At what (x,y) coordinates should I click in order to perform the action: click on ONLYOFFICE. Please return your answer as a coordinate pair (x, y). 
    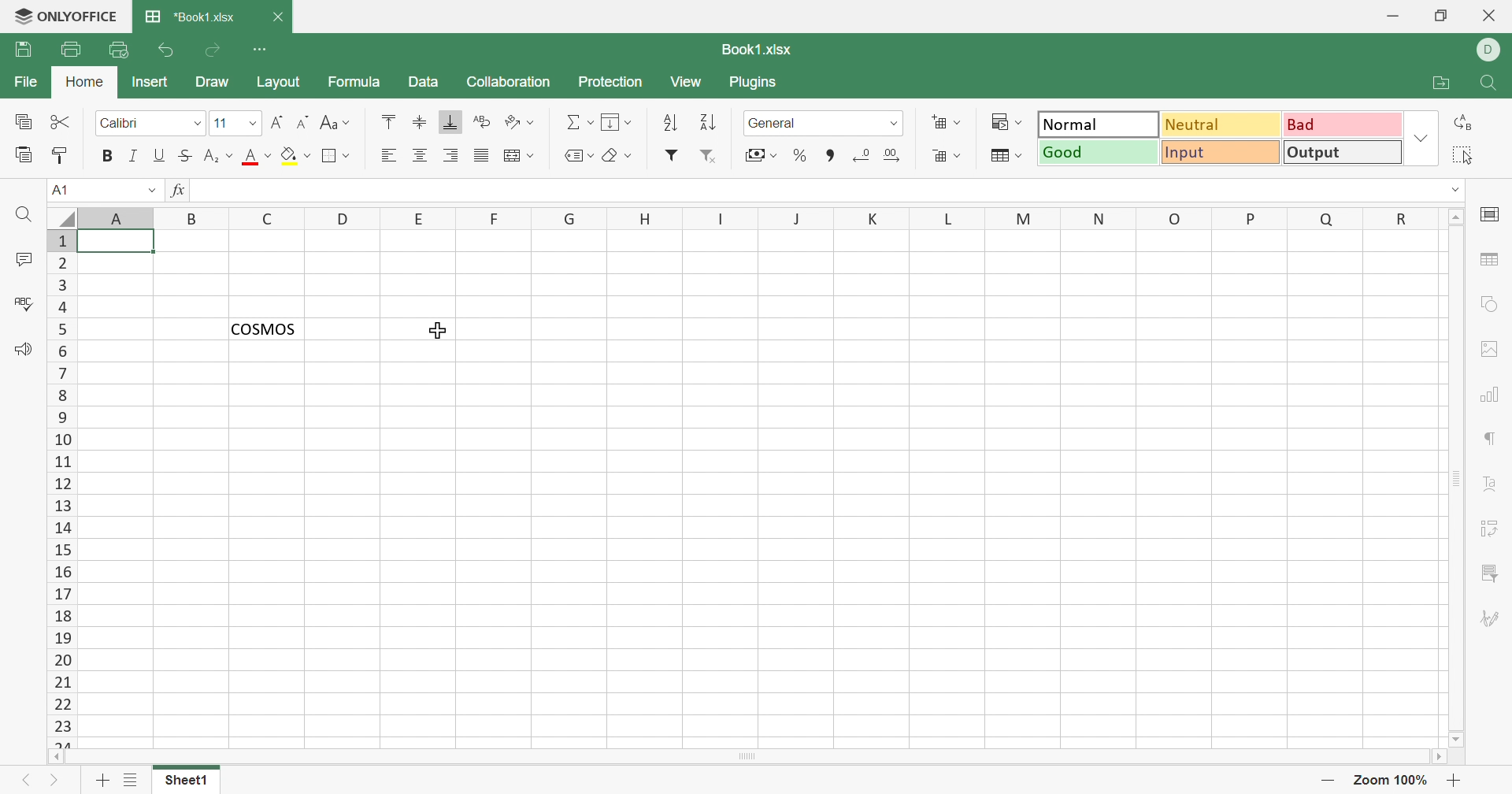
    Looking at the image, I should click on (66, 17).